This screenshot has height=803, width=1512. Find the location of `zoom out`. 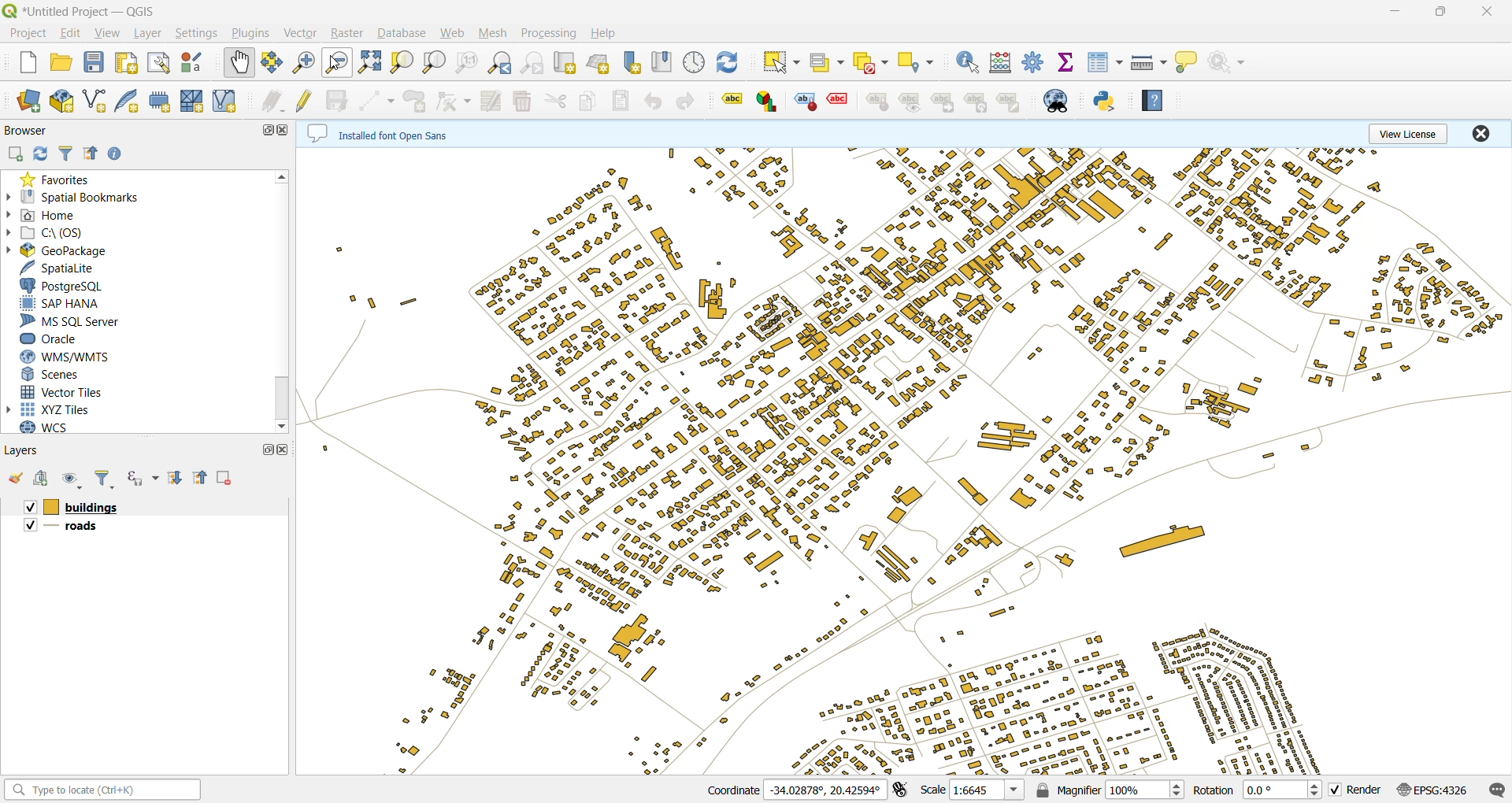

zoom out is located at coordinates (339, 62).